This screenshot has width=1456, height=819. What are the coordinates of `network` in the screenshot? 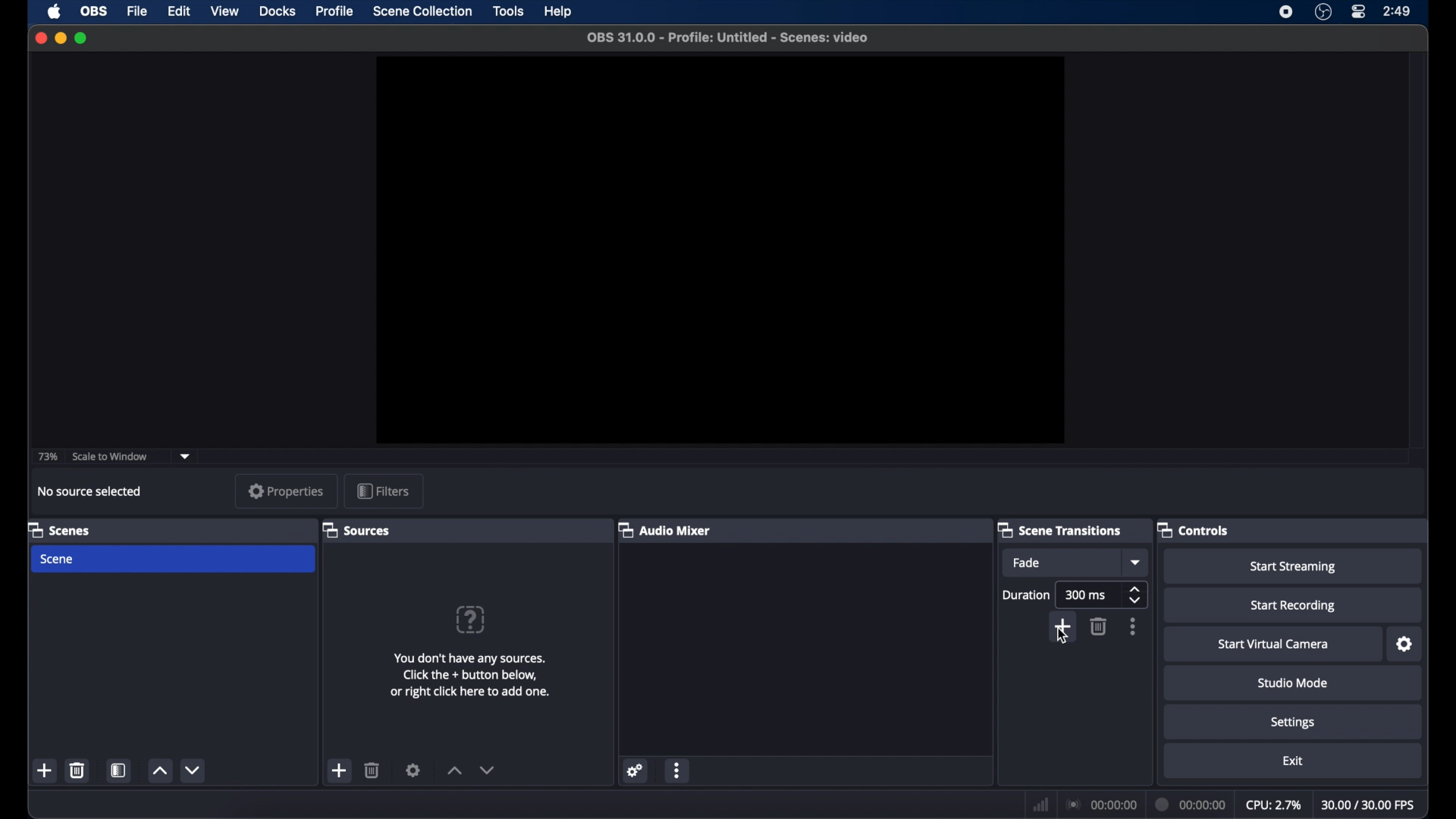 It's located at (1039, 805).